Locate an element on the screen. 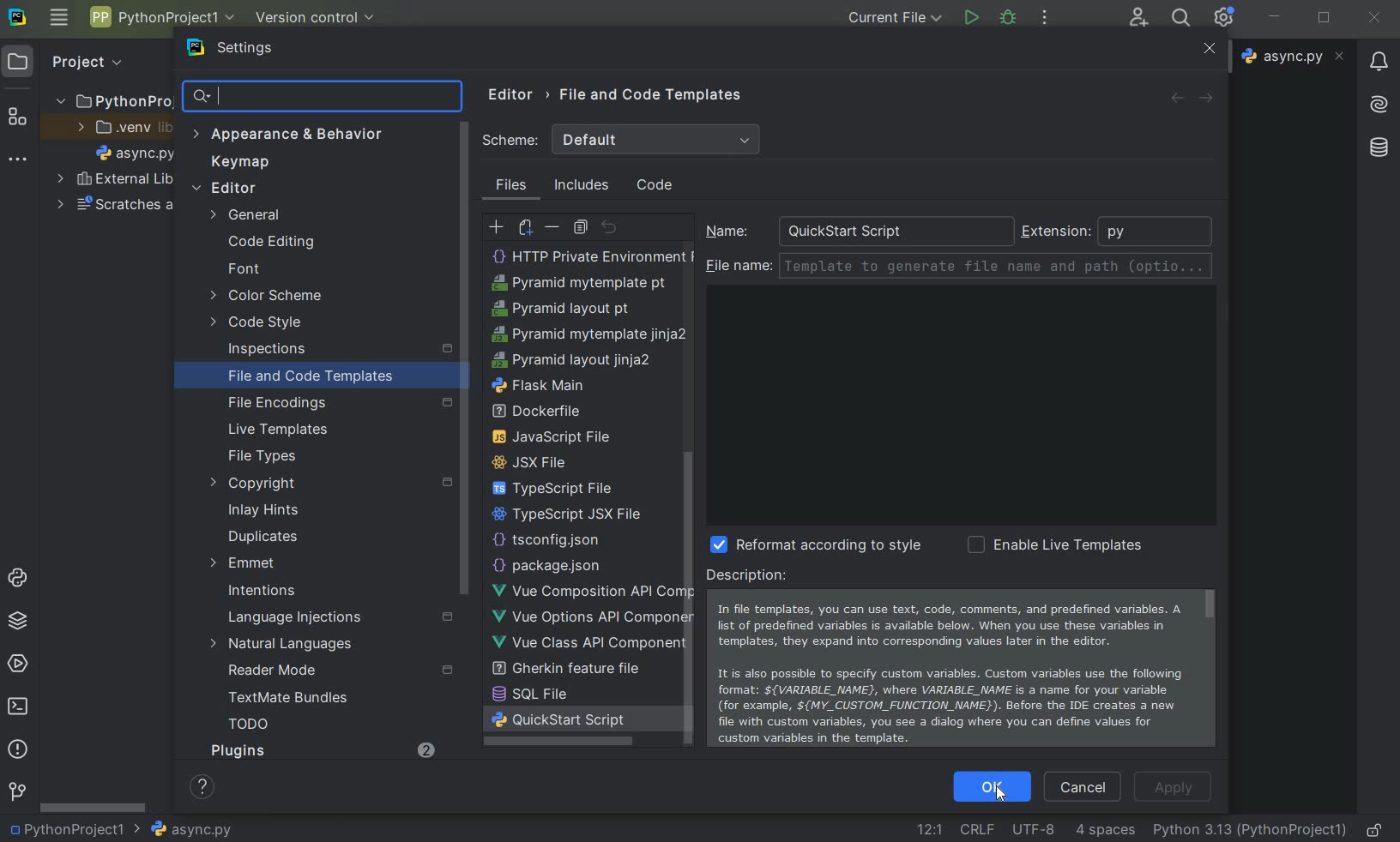  pyramid mytemplate jinja2 is located at coordinates (588, 692).